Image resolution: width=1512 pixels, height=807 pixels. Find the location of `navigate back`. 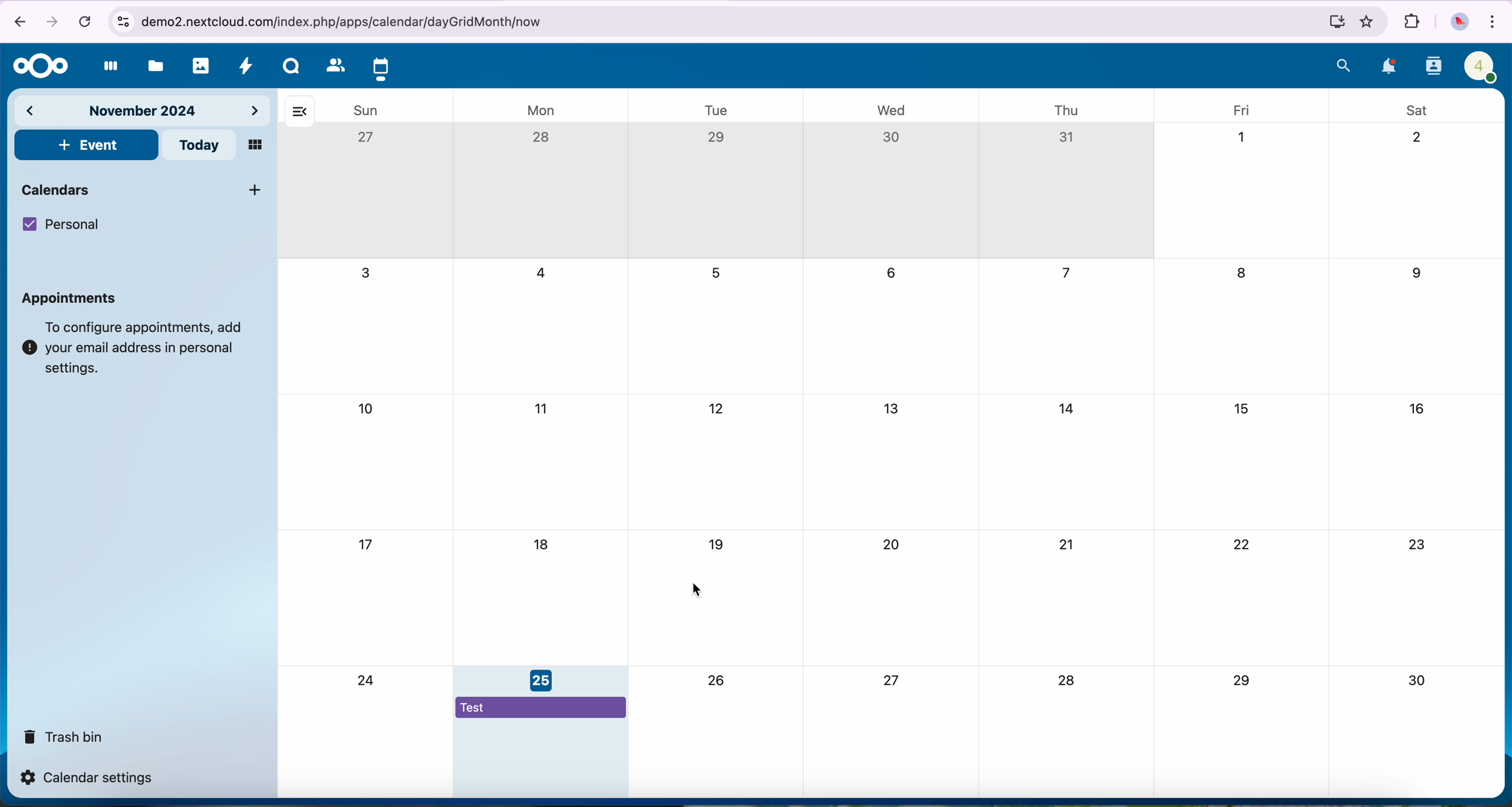

navigate back is located at coordinates (20, 21).